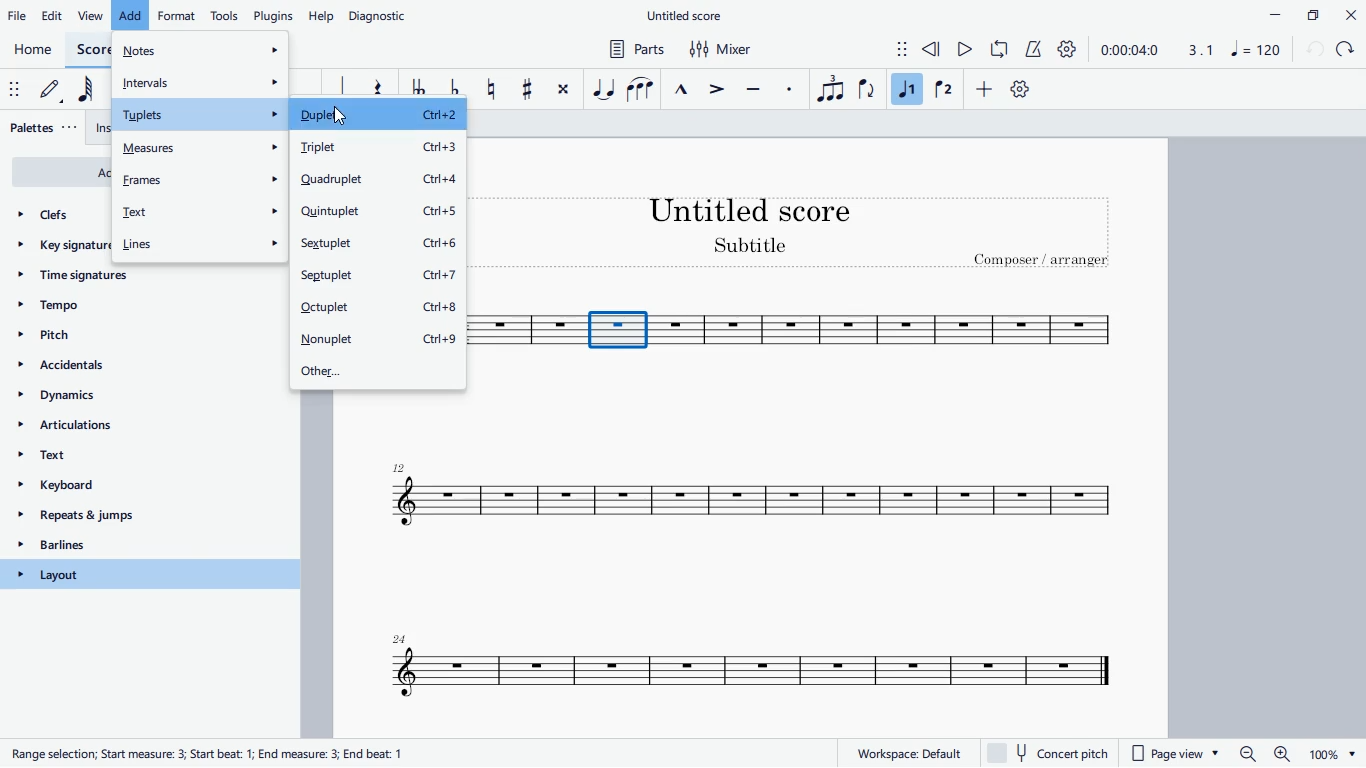 The image size is (1366, 768). What do you see at coordinates (381, 180) in the screenshot?
I see `quadruplet` at bounding box center [381, 180].